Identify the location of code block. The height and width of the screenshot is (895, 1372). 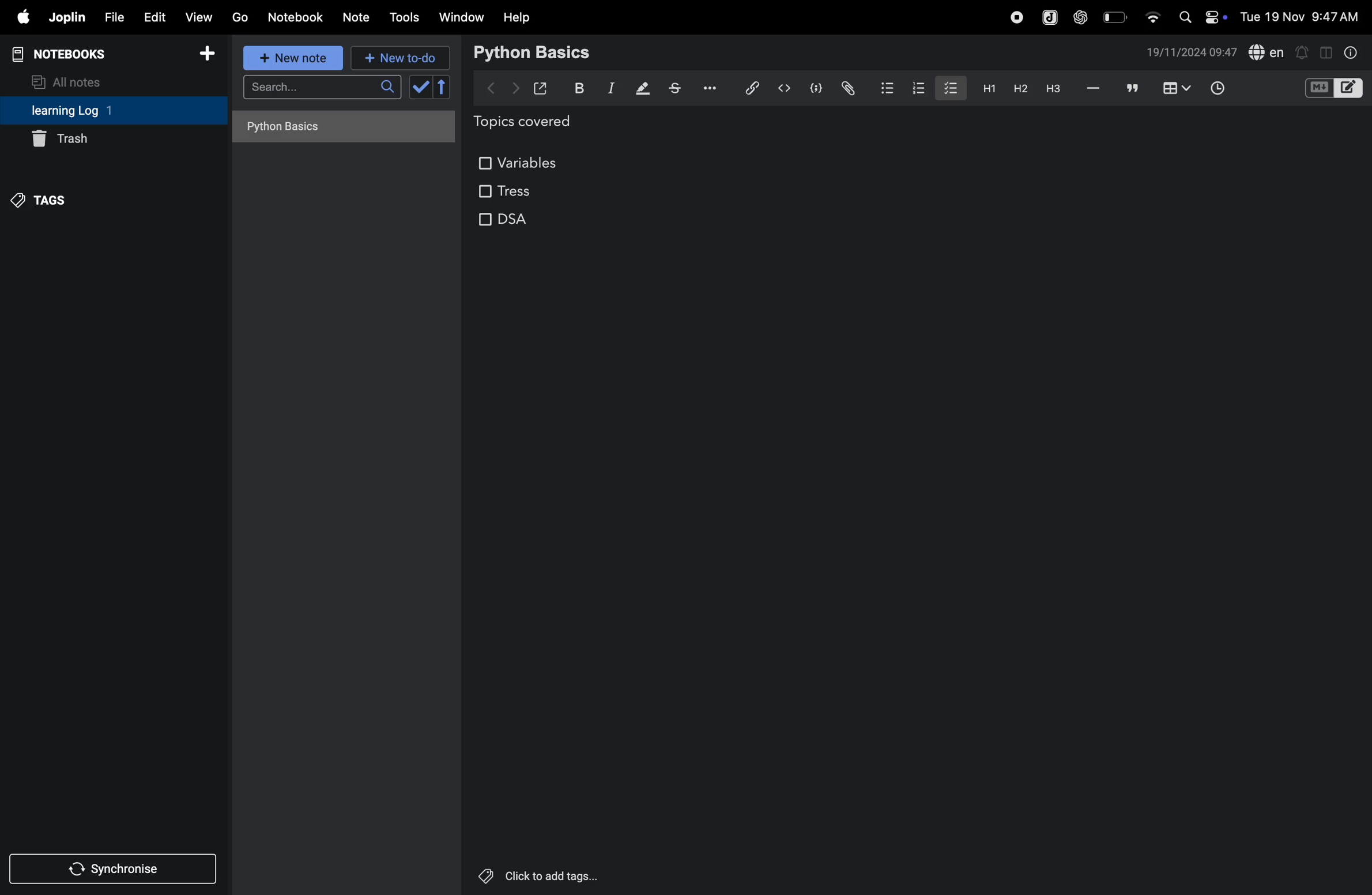
(1333, 89).